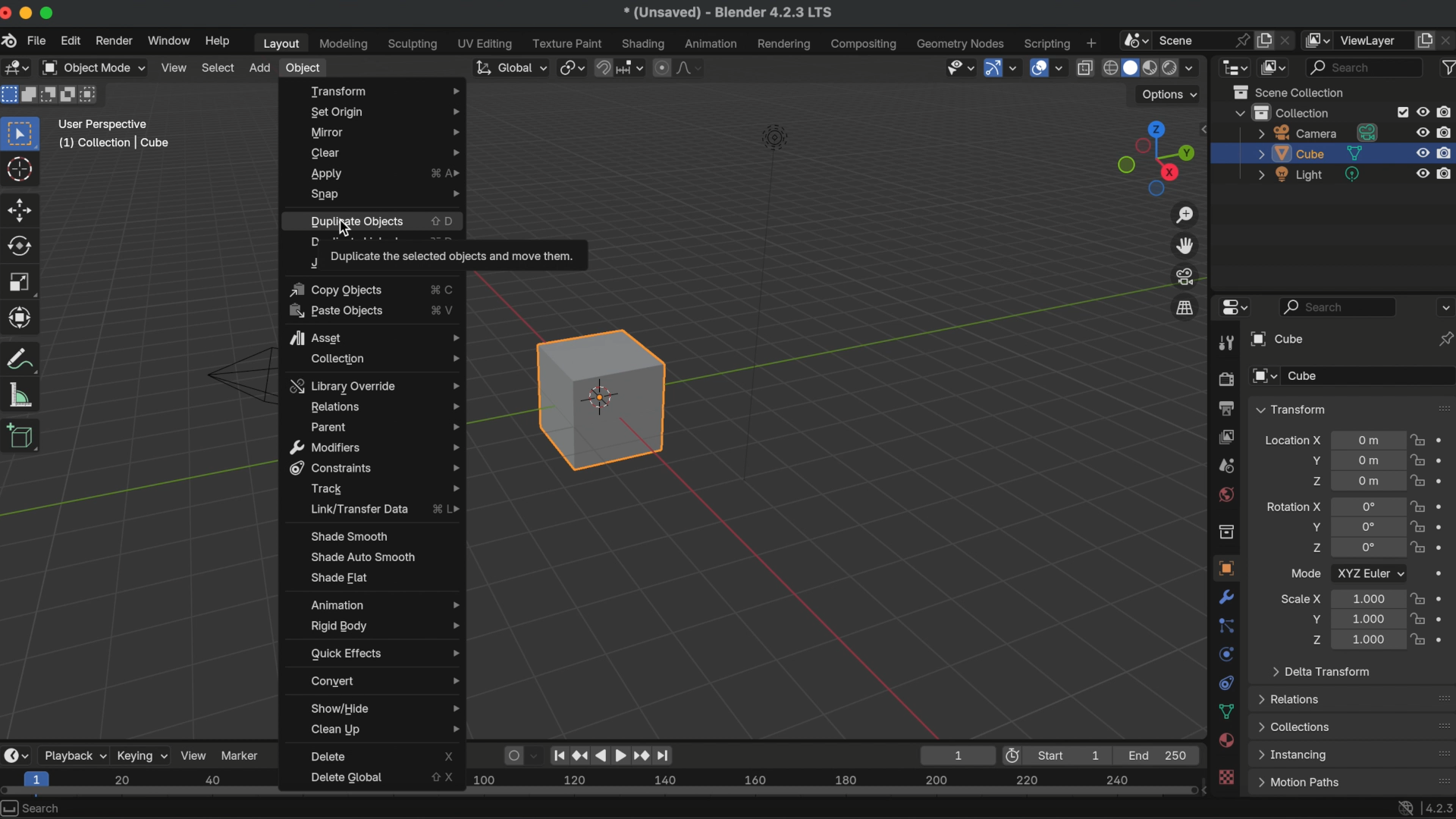 This screenshot has width=1456, height=819. Describe the element at coordinates (1366, 640) in the screenshot. I see `scale location` at that location.